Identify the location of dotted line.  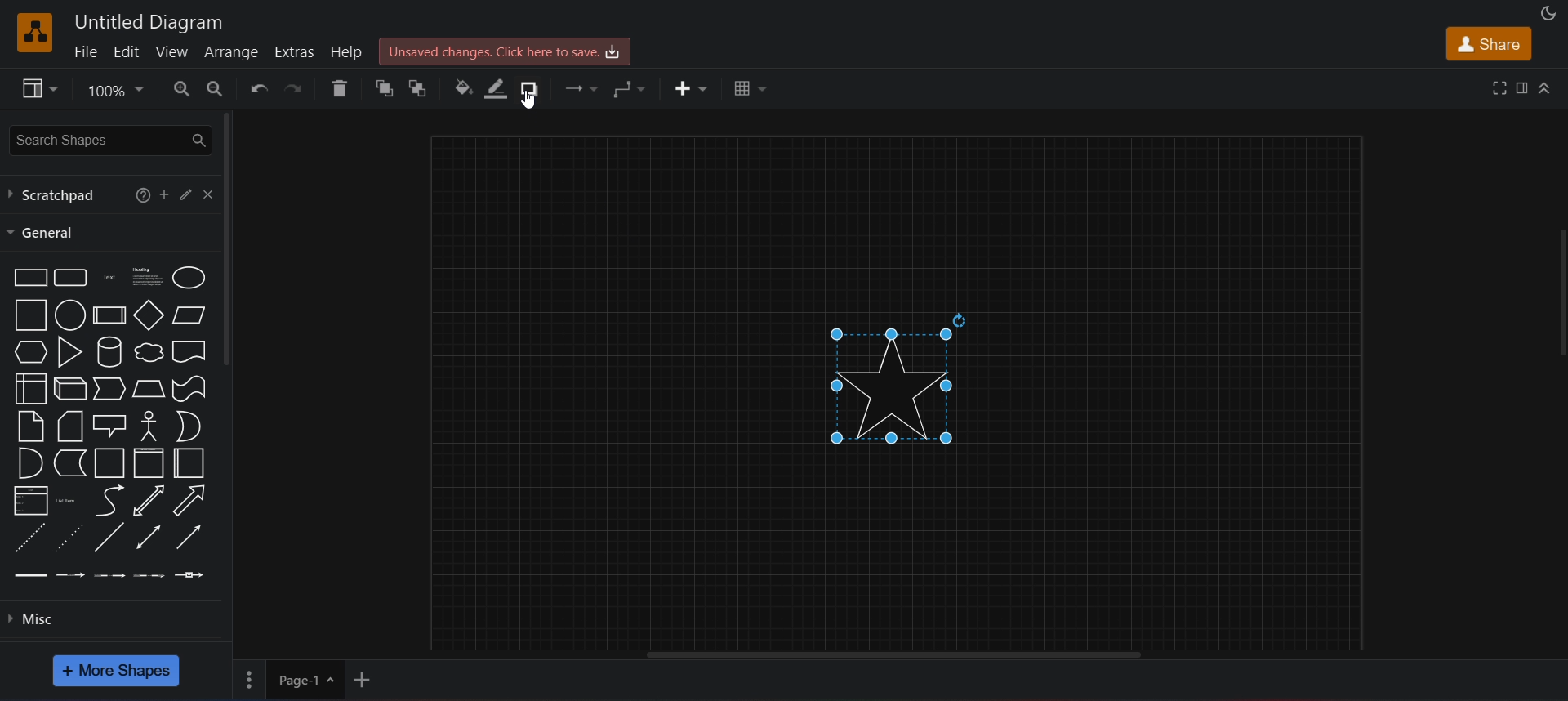
(68, 537).